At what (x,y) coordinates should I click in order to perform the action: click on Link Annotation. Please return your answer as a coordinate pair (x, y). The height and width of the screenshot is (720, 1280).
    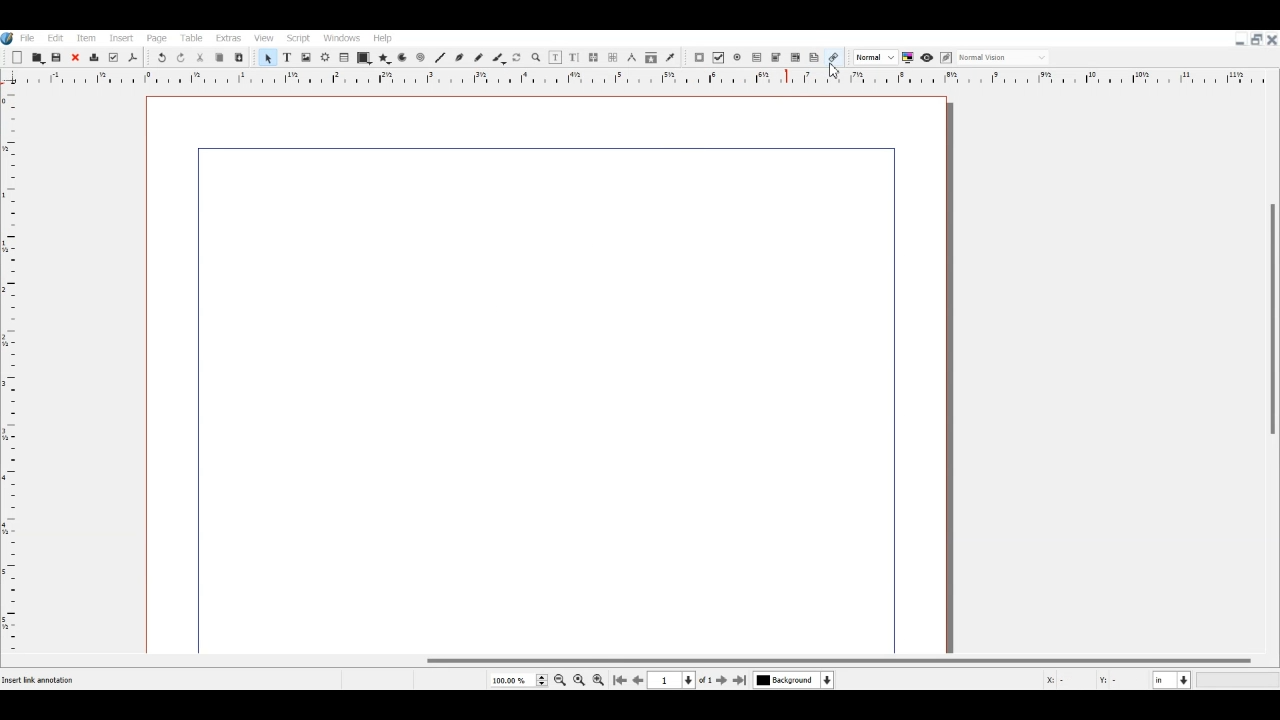
    Looking at the image, I should click on (833, 56).